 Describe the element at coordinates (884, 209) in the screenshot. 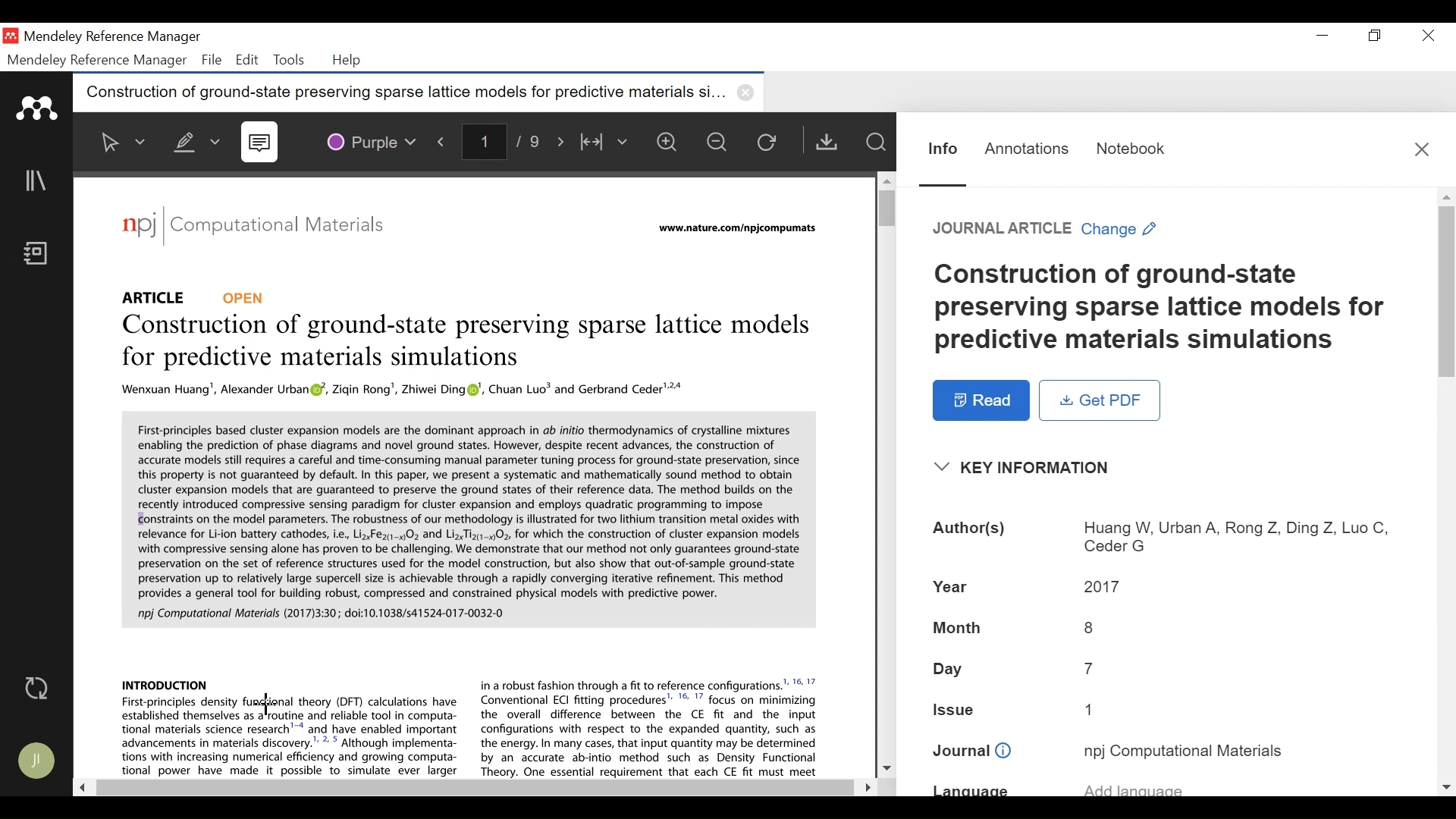

I see `Vertical Scroll bar` at that location.